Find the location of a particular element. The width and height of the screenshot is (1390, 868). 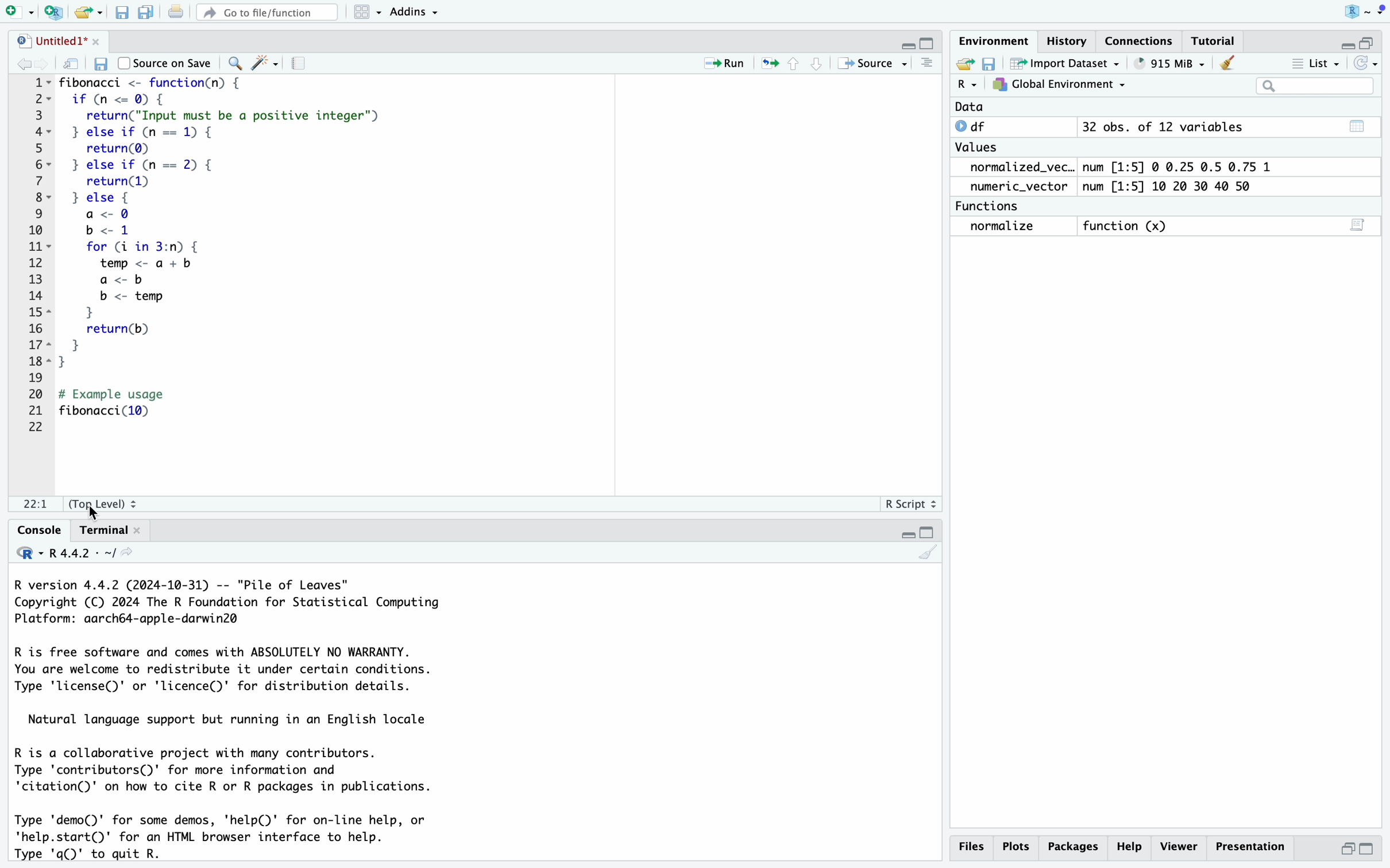

create a project is located at coordinates (55, 12).